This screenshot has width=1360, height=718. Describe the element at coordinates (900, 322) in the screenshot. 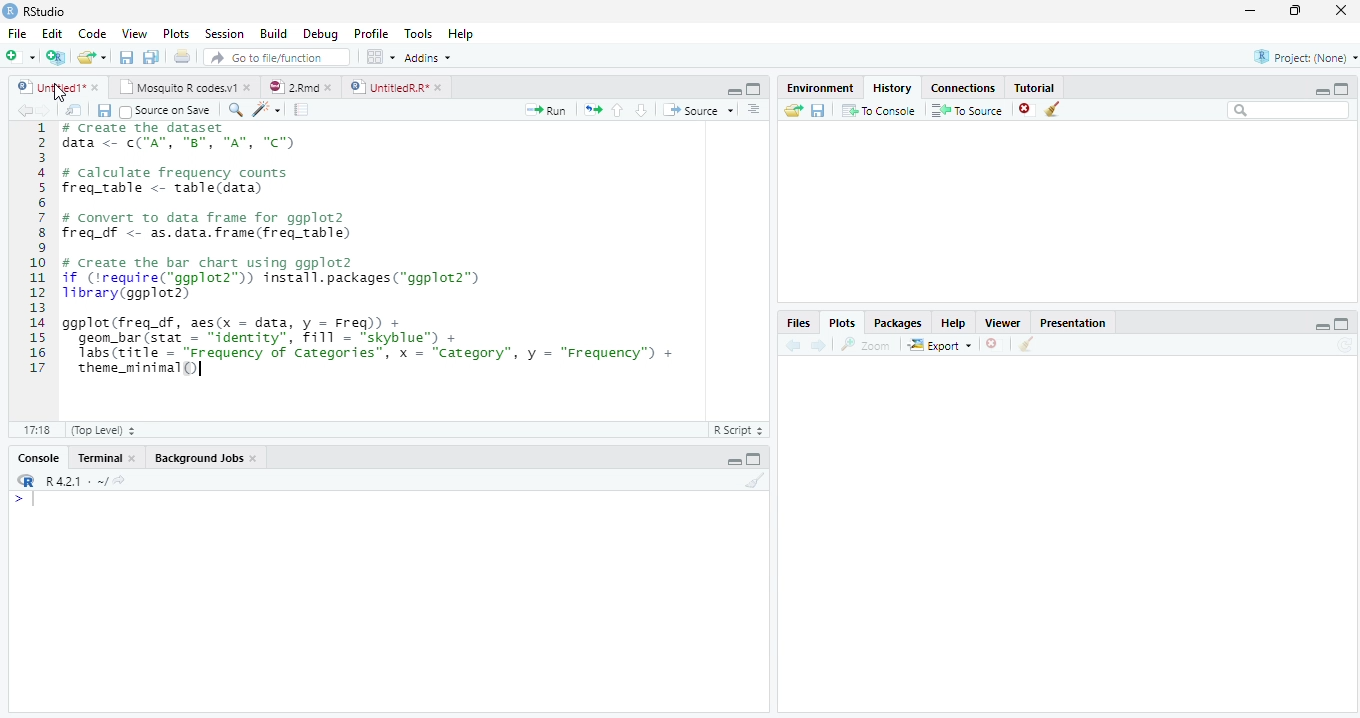

I see `Packages` at that location.